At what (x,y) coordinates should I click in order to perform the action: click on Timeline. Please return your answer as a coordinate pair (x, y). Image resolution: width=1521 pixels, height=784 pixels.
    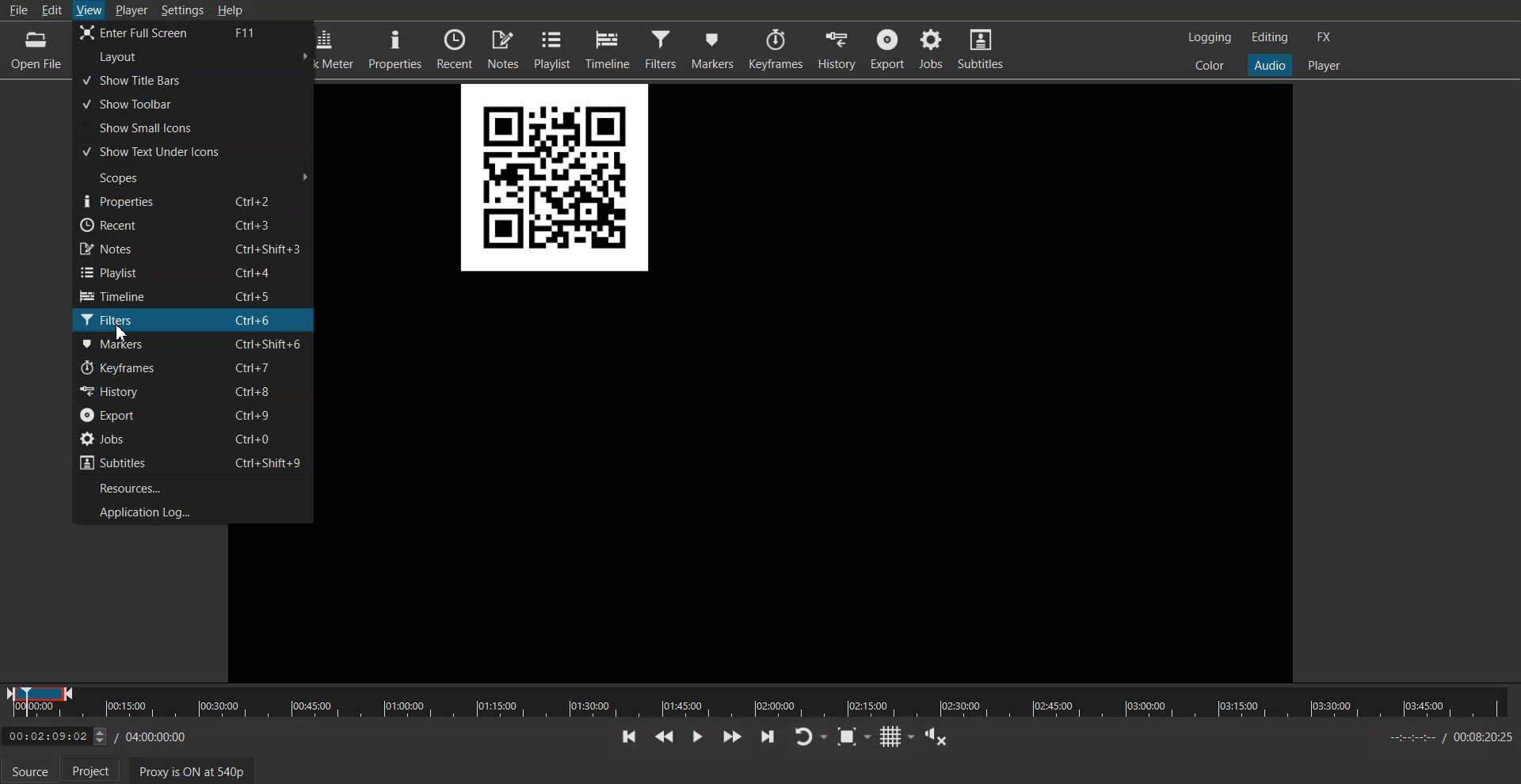
    Looking at the image, I should click on (193, 295).